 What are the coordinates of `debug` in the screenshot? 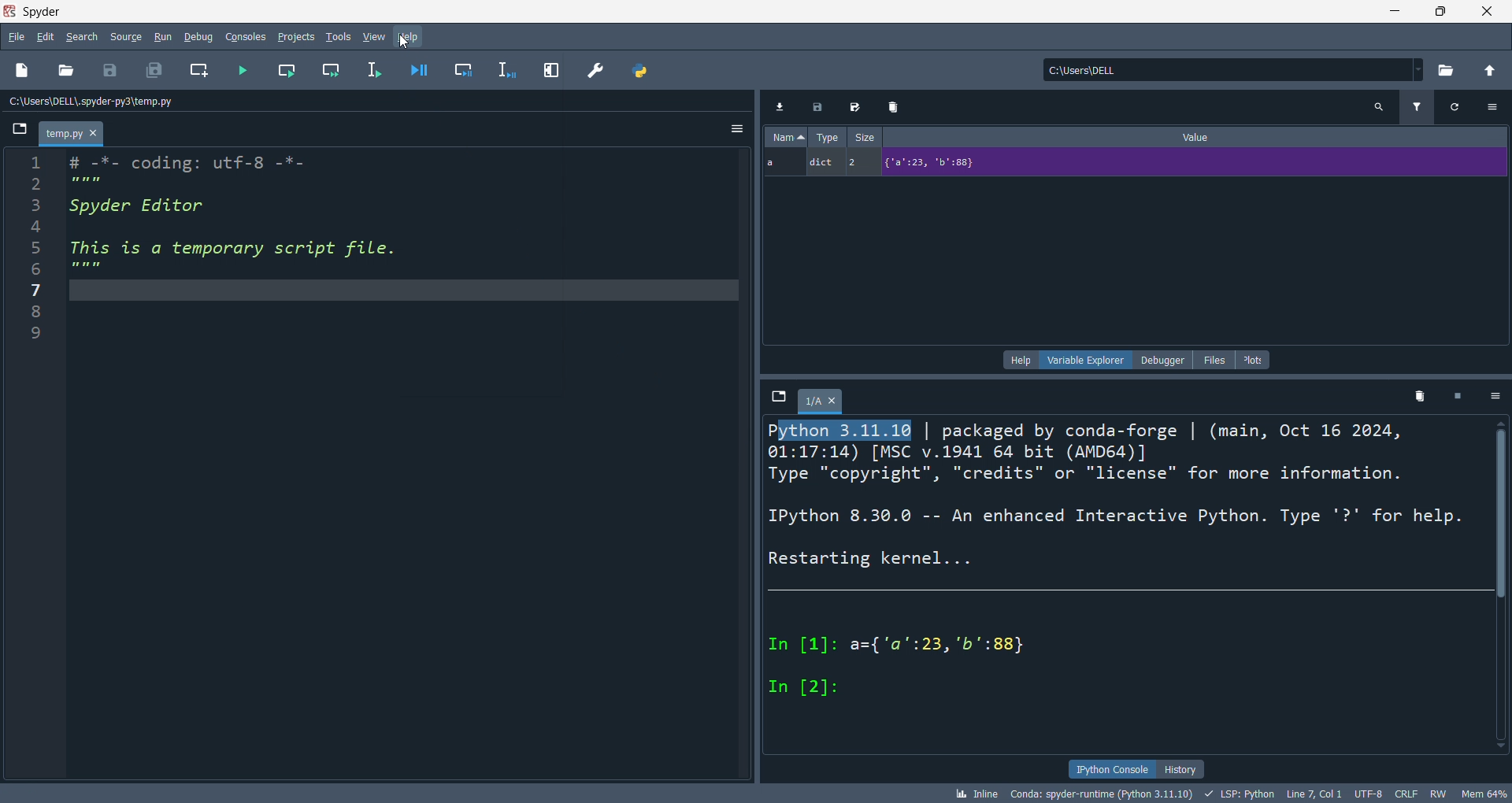 It's located at (198, 38).